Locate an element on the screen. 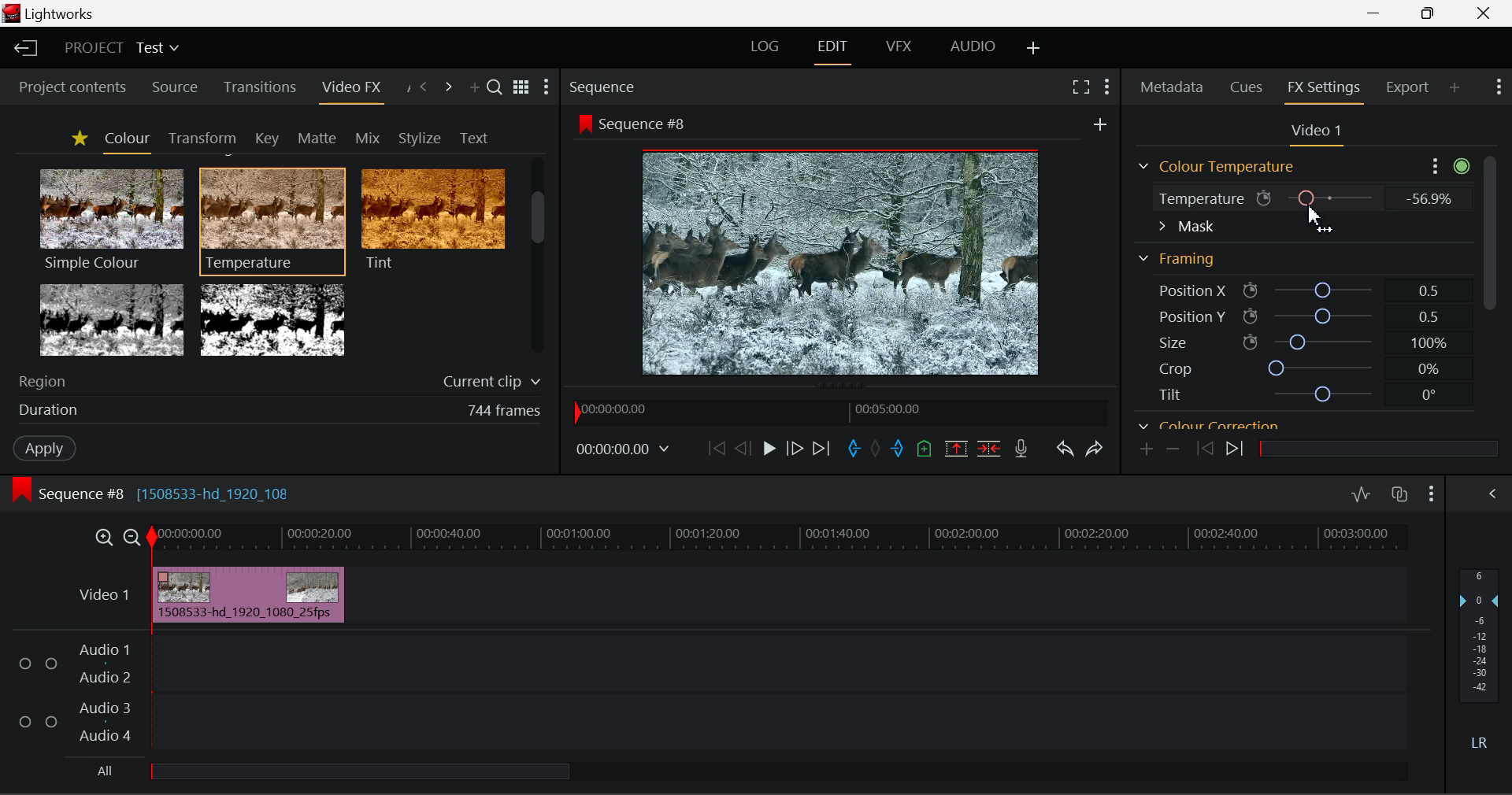 Image resolution: width=1512 pixels, height=795 pixels. Show Settings is located at coordinates (1432, 492).